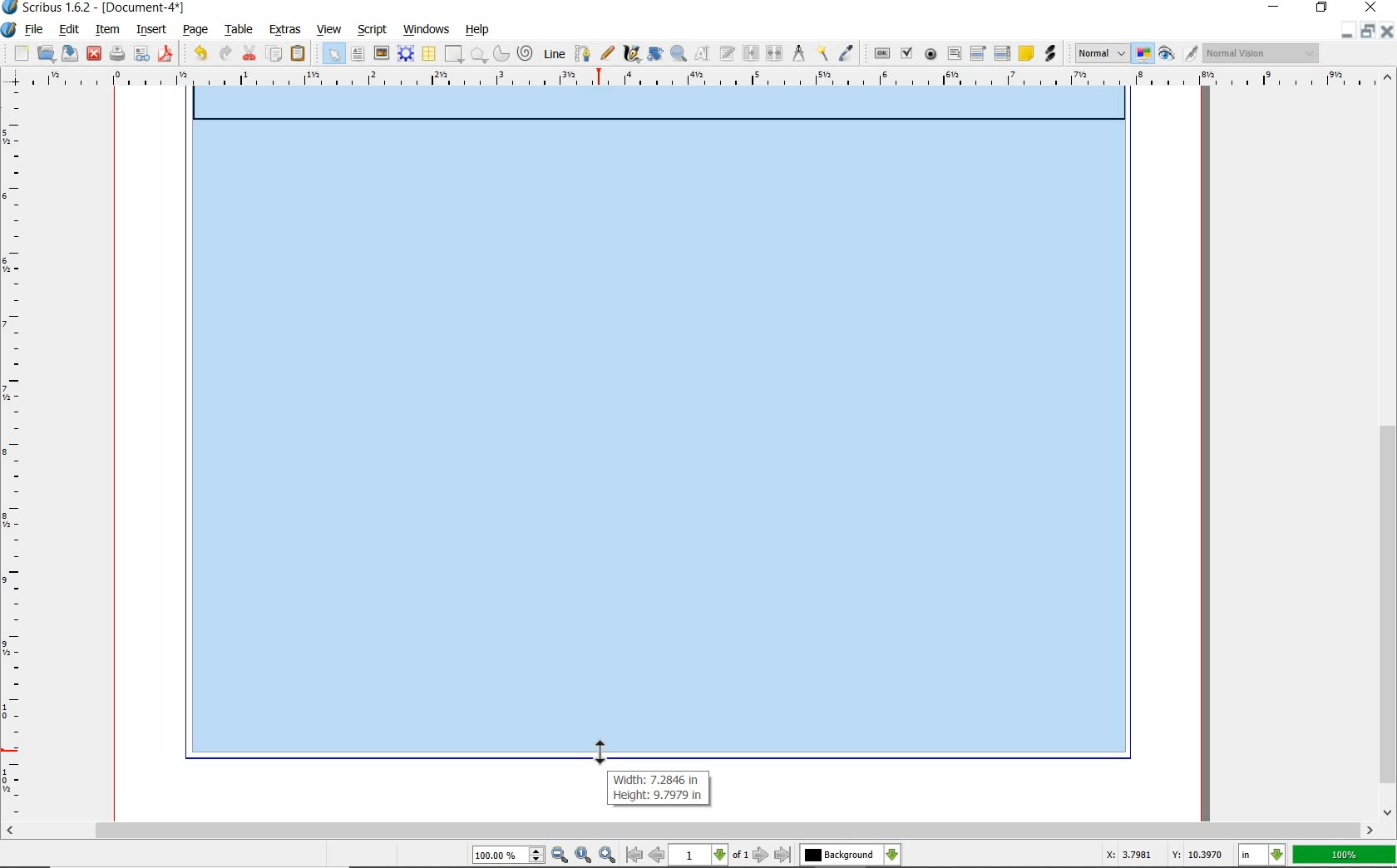  I want to click on in, so click(1262, 855).